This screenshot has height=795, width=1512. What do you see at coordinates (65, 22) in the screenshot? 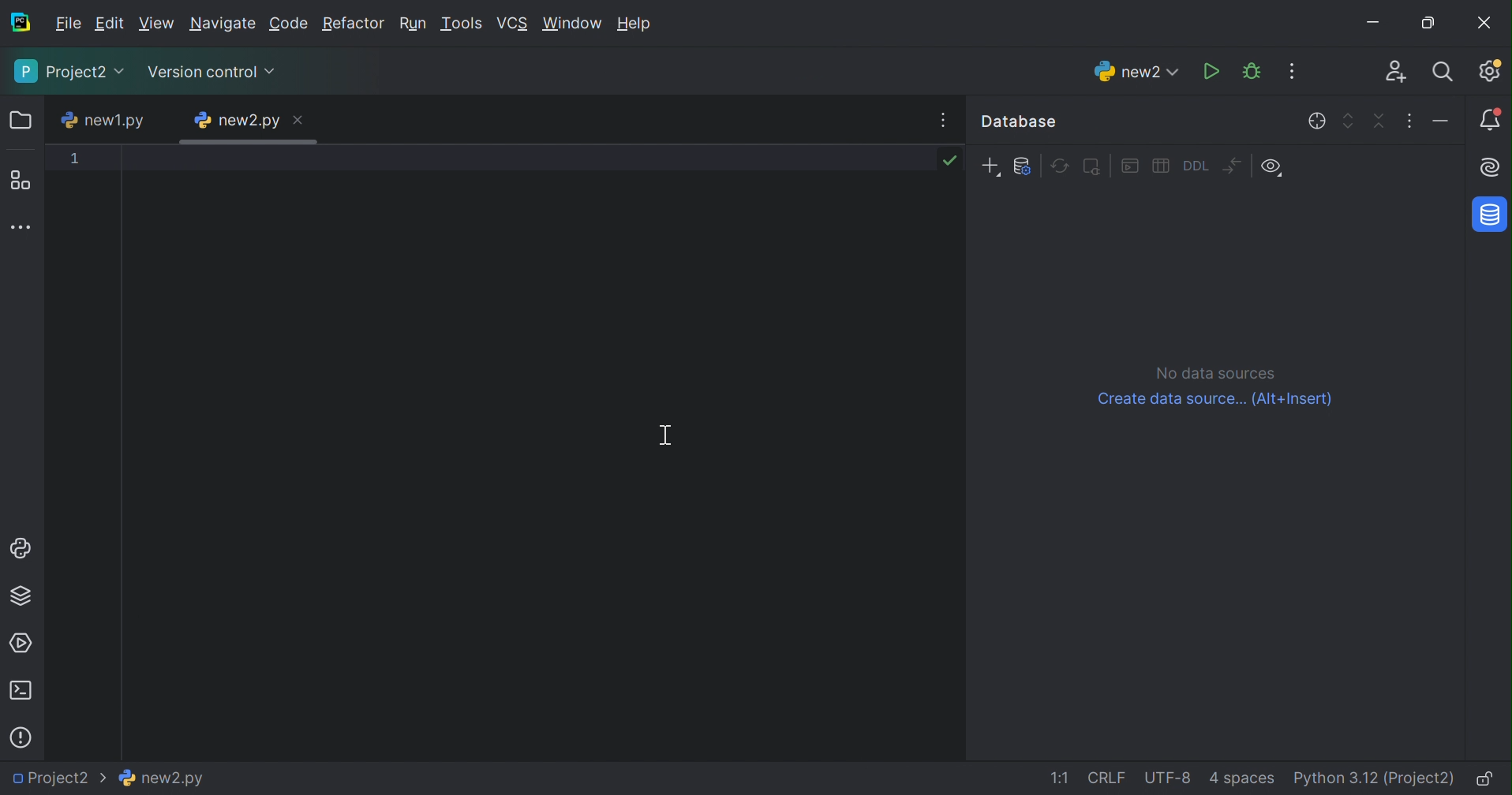
I see `File` at bounding box center [65, 22].